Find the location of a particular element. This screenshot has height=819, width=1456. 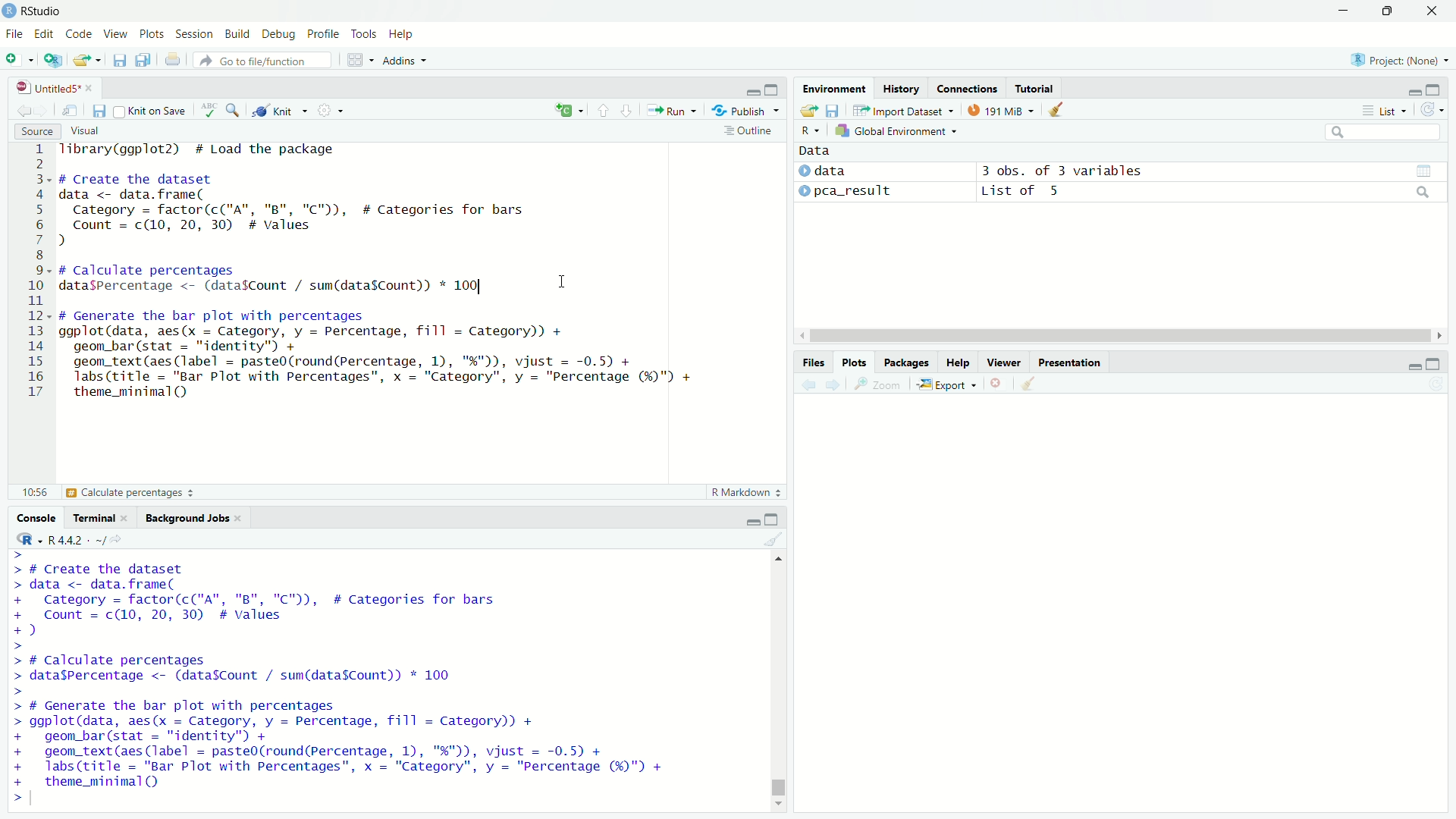

go forward is located at coordinates (833, 385).